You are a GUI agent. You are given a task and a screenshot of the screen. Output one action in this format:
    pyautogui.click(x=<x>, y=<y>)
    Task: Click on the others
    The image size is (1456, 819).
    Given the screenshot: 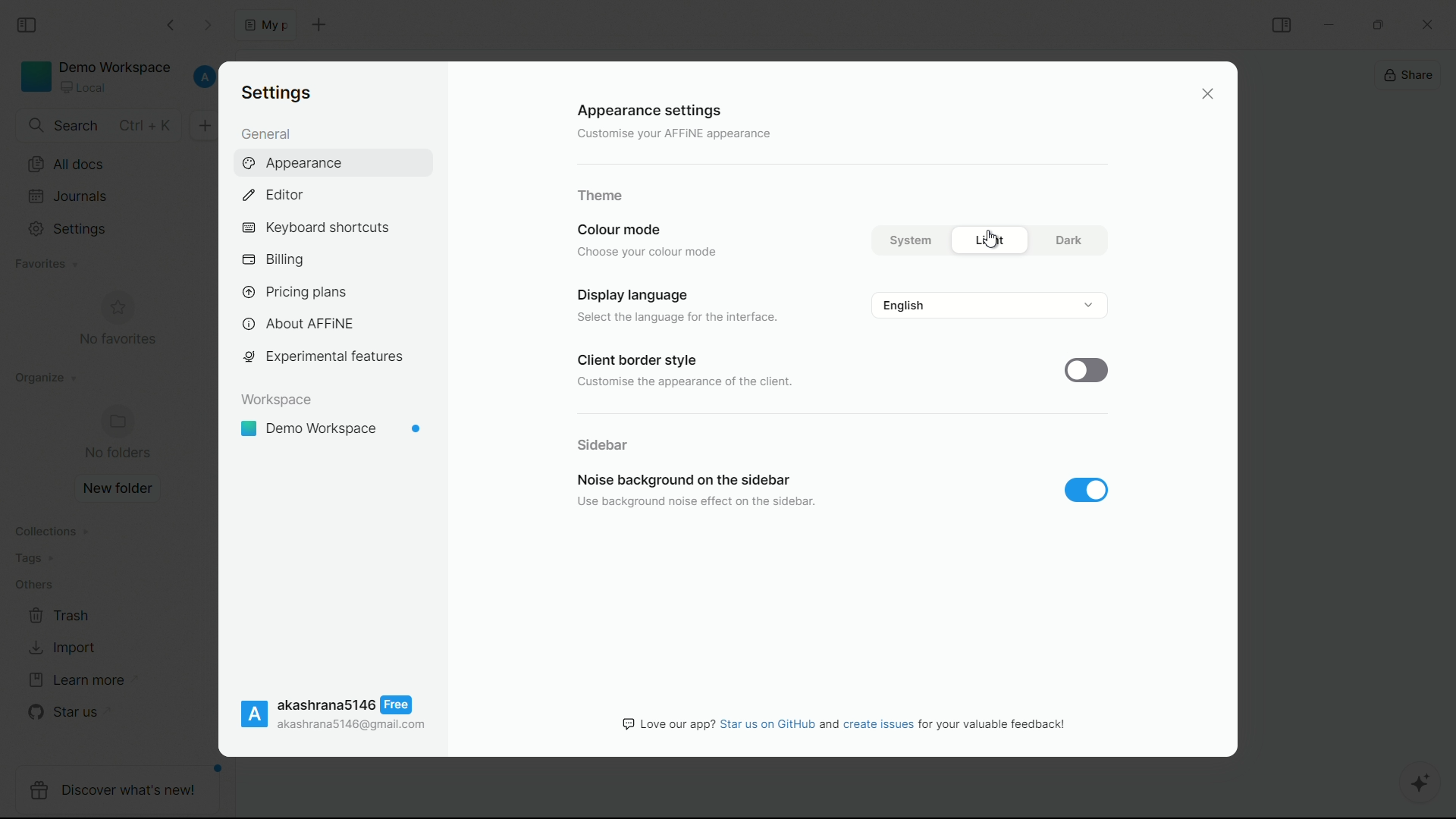 What is the action you would take?
    pyautogui.click(x=34, y=588)
    